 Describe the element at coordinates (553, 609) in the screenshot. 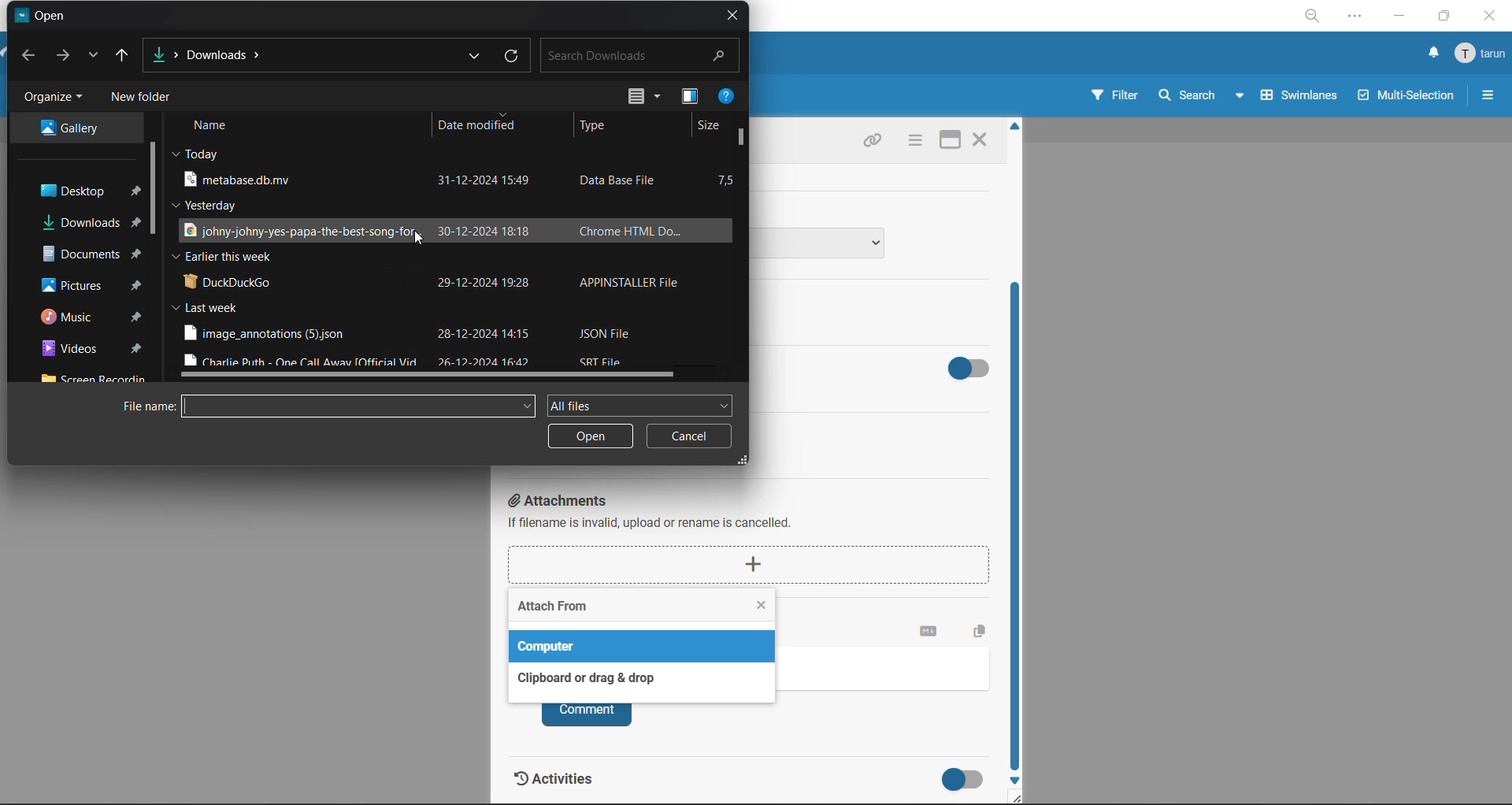

I see `attach from` at that location.